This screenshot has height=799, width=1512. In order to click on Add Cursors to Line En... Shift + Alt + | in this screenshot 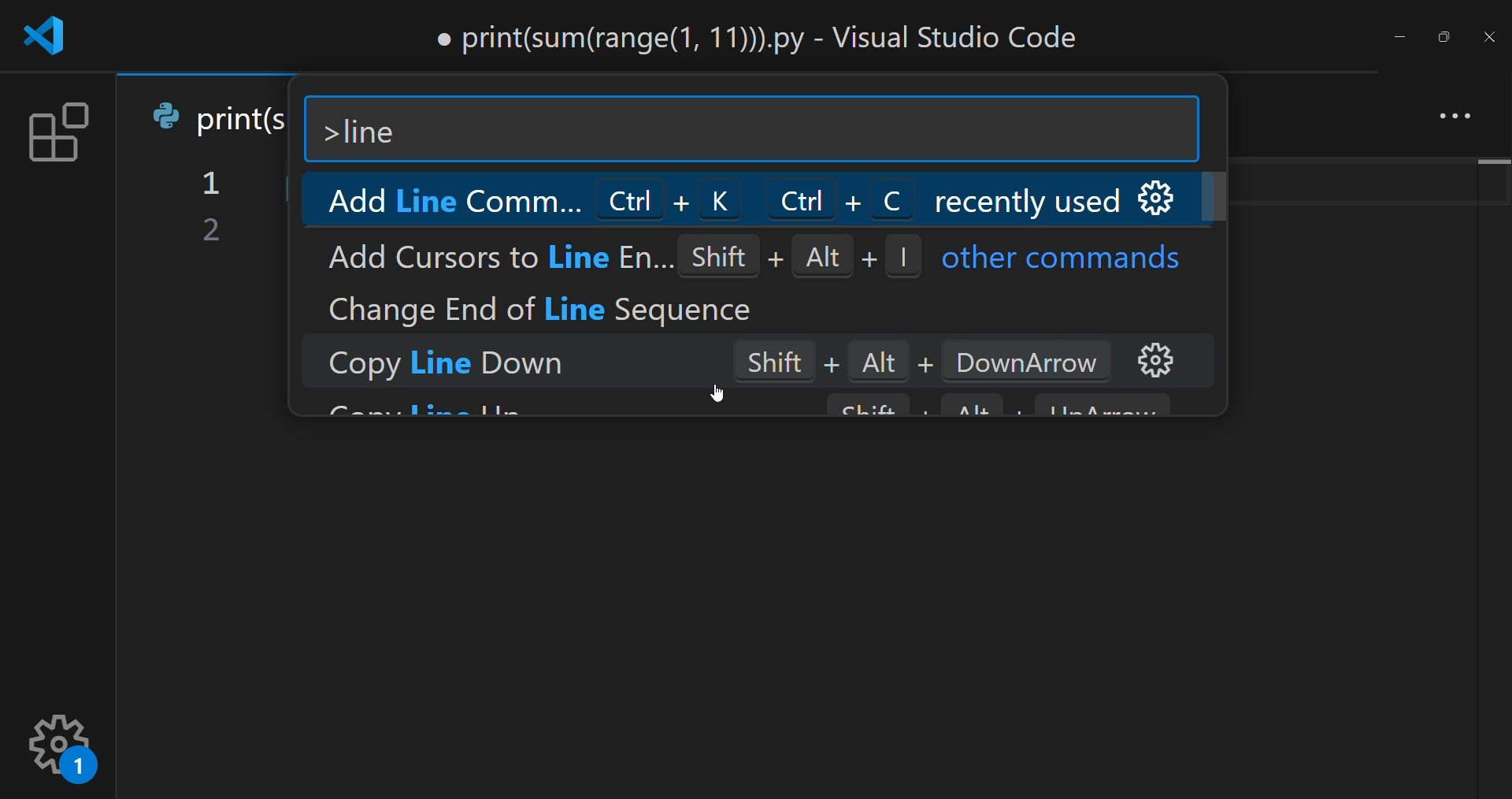, I will do `click(615, 254)`.